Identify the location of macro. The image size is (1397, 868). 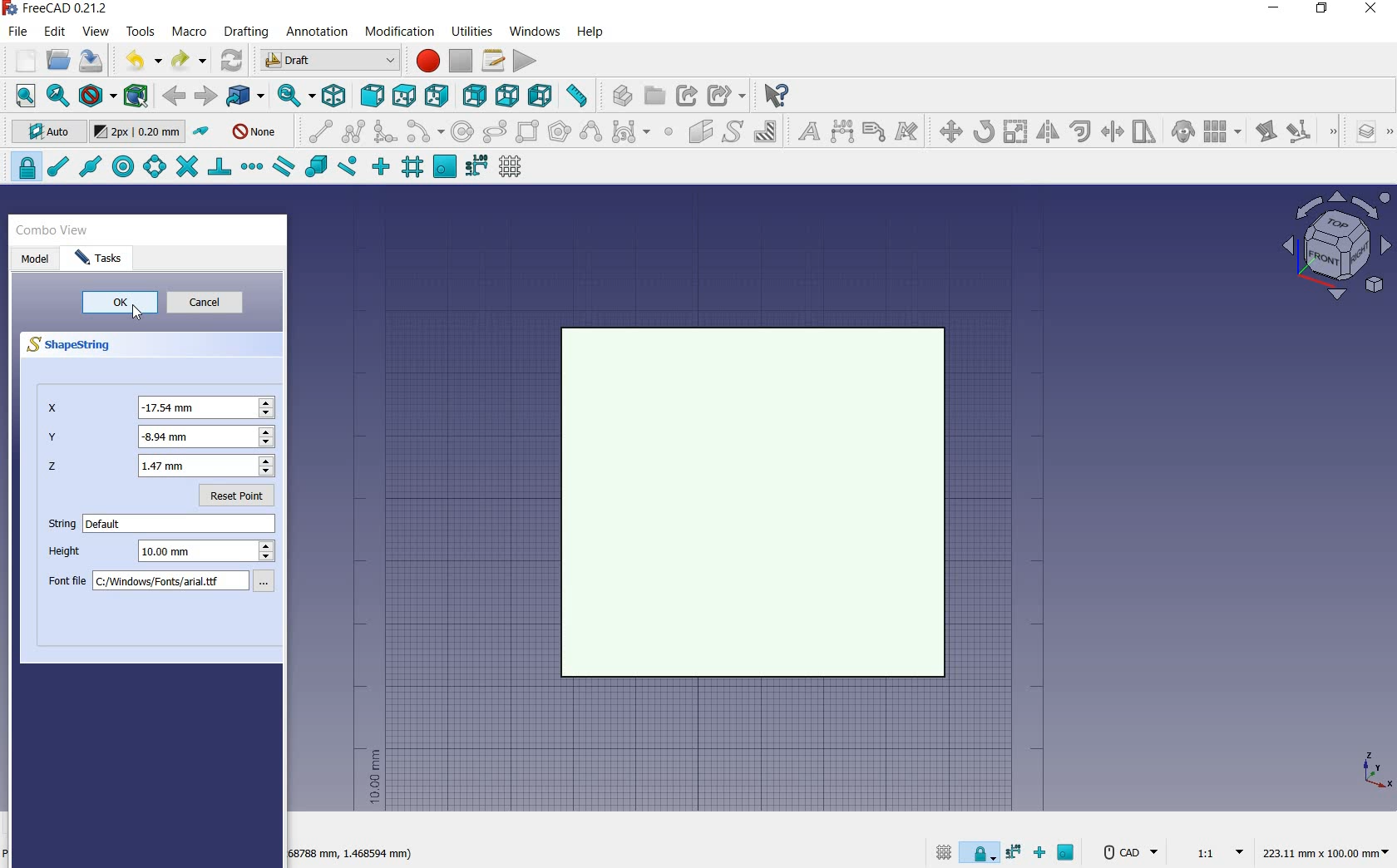
(190, 33).